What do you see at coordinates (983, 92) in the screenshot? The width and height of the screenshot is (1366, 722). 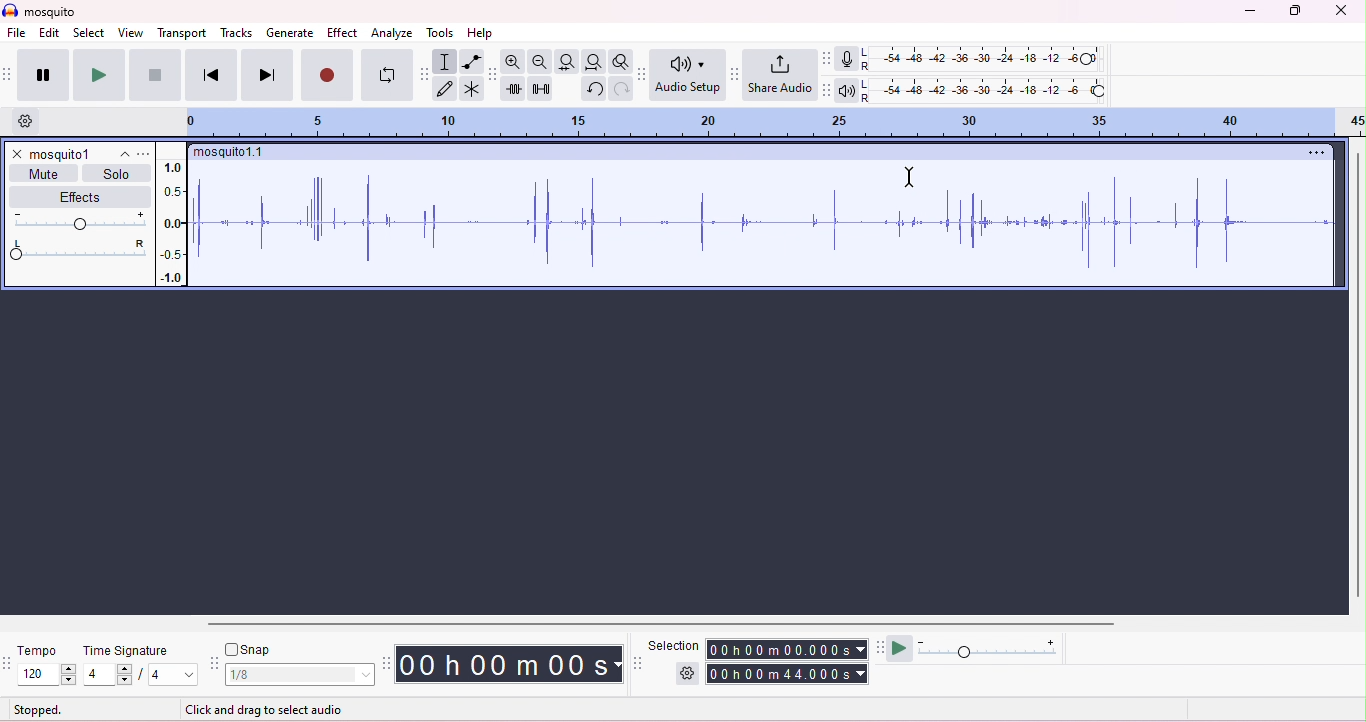 I see `playback level` at bounding box center [983, 92].